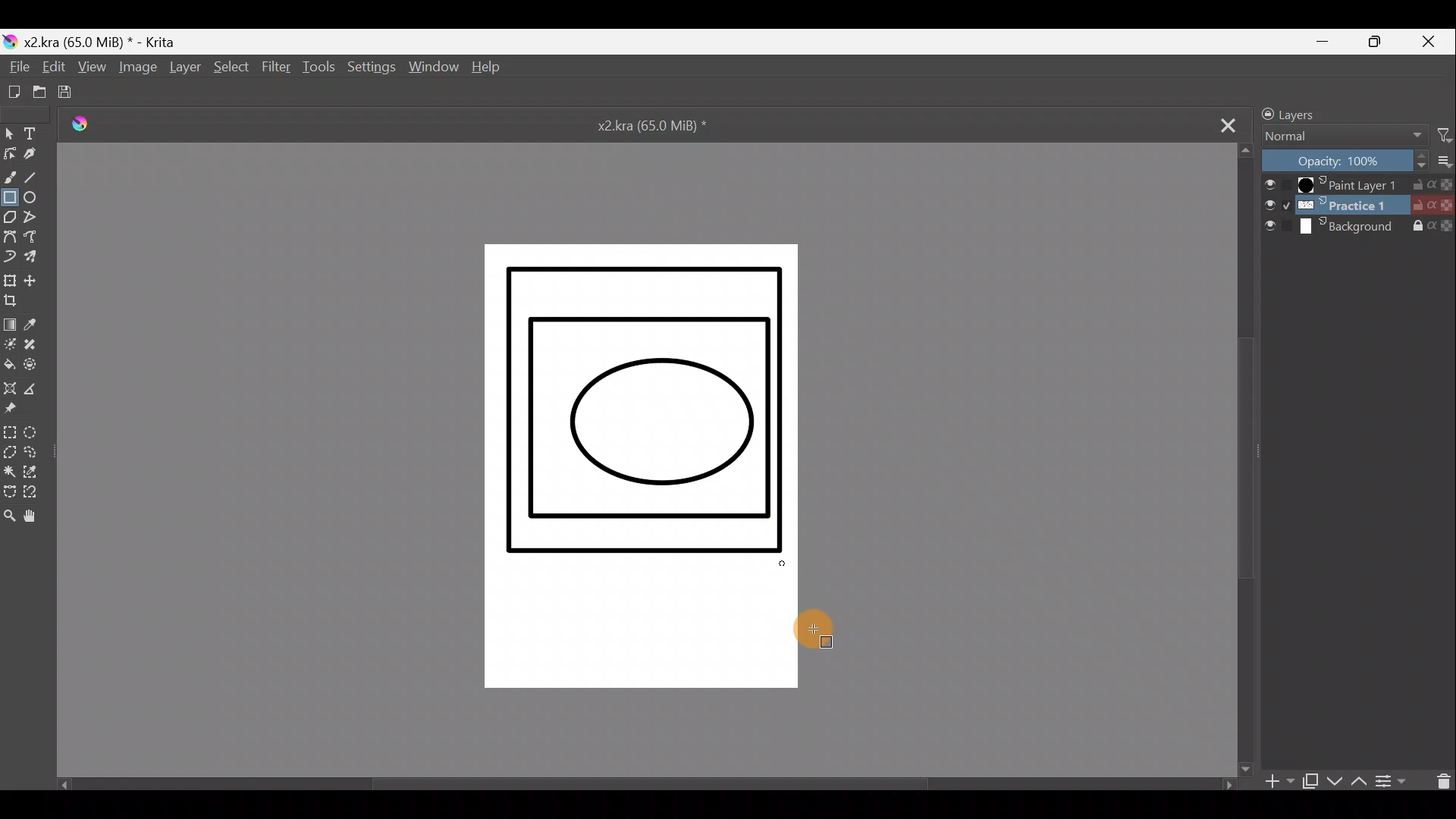  Describe the element at coordinates (1382, 42) in the screenshot. I see `Maximize` at that location.